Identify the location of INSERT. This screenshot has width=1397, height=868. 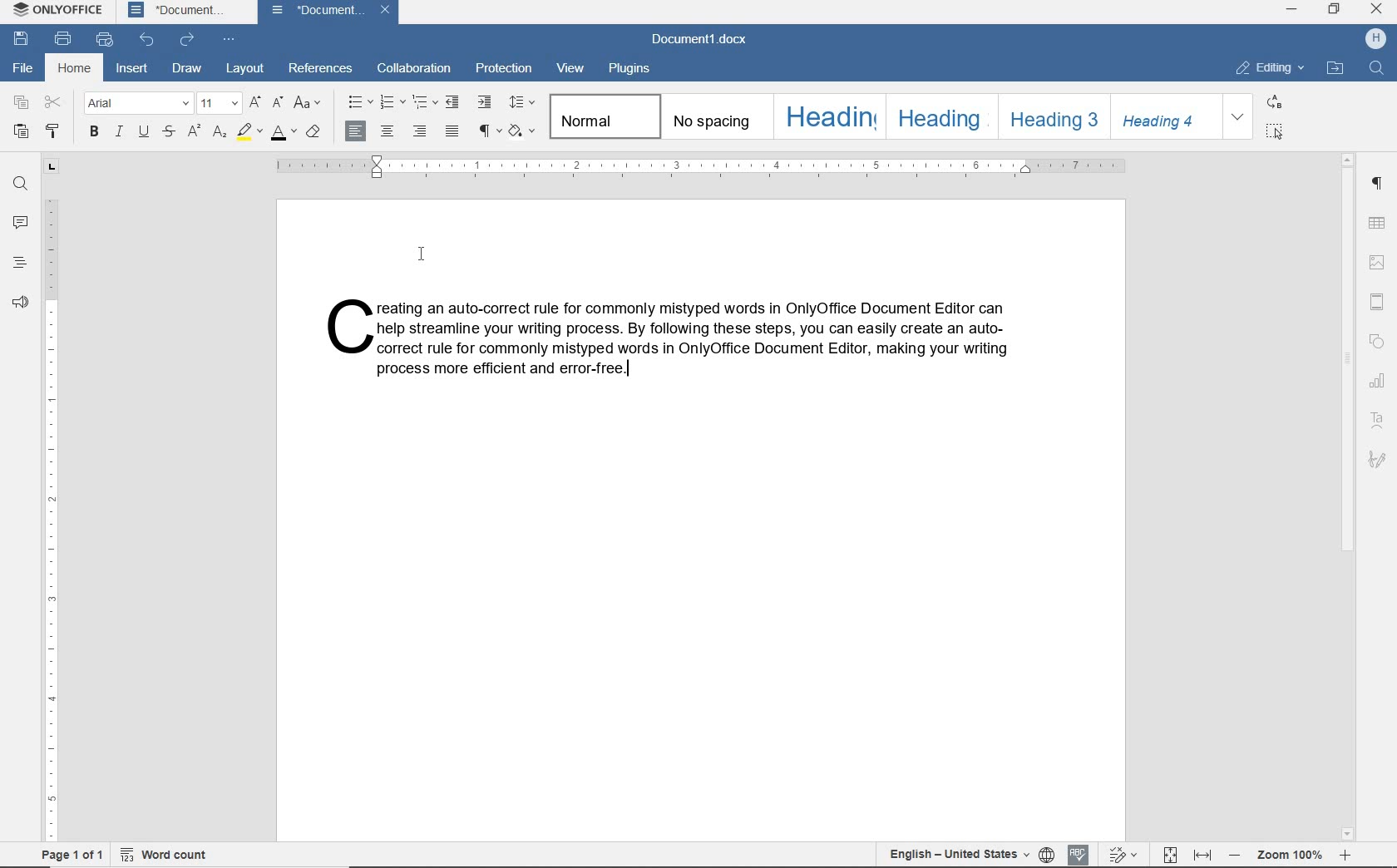
(131, 67).